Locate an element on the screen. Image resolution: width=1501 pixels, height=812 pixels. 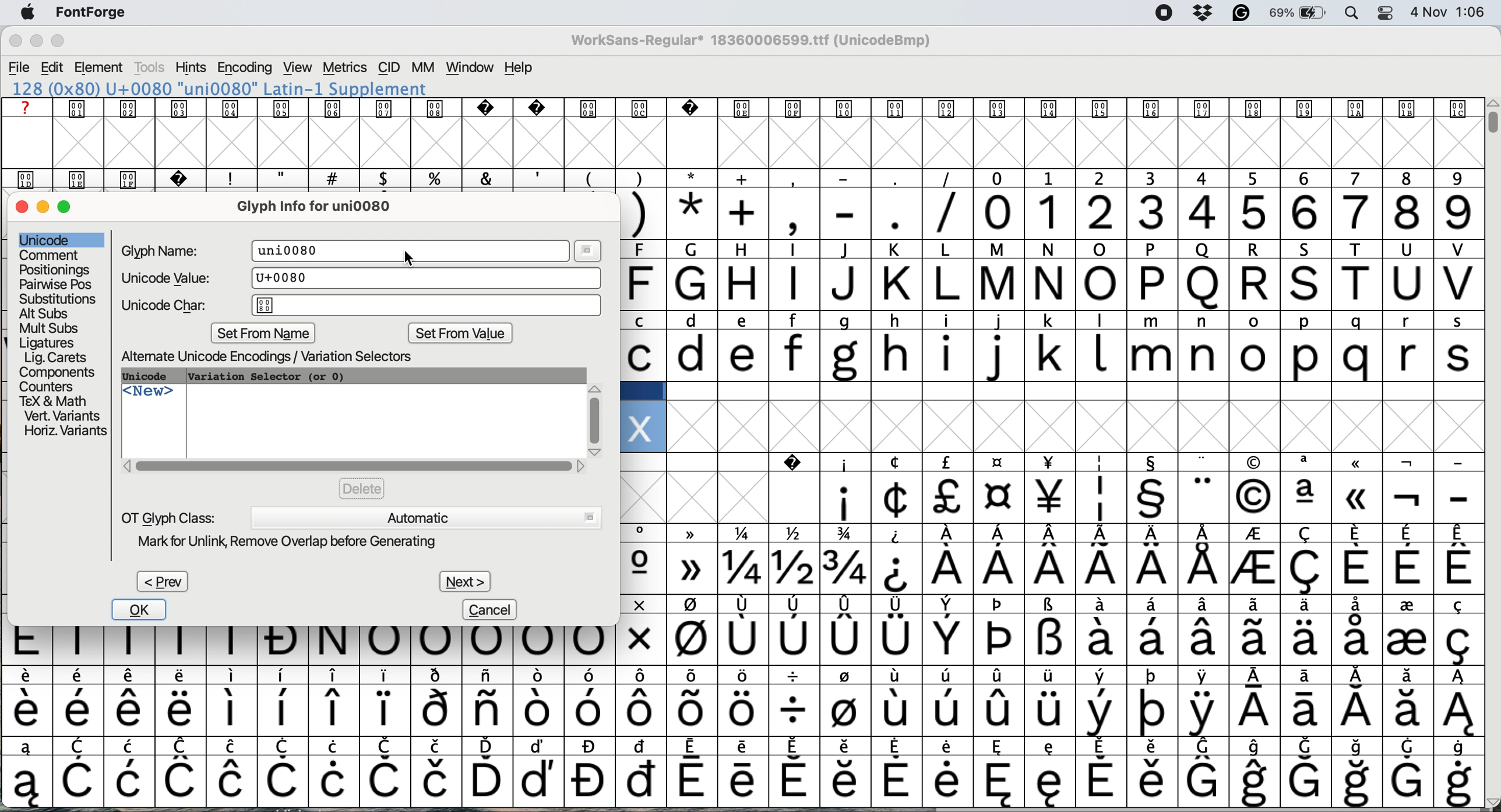
automatic is located at coordinates (425, 517).